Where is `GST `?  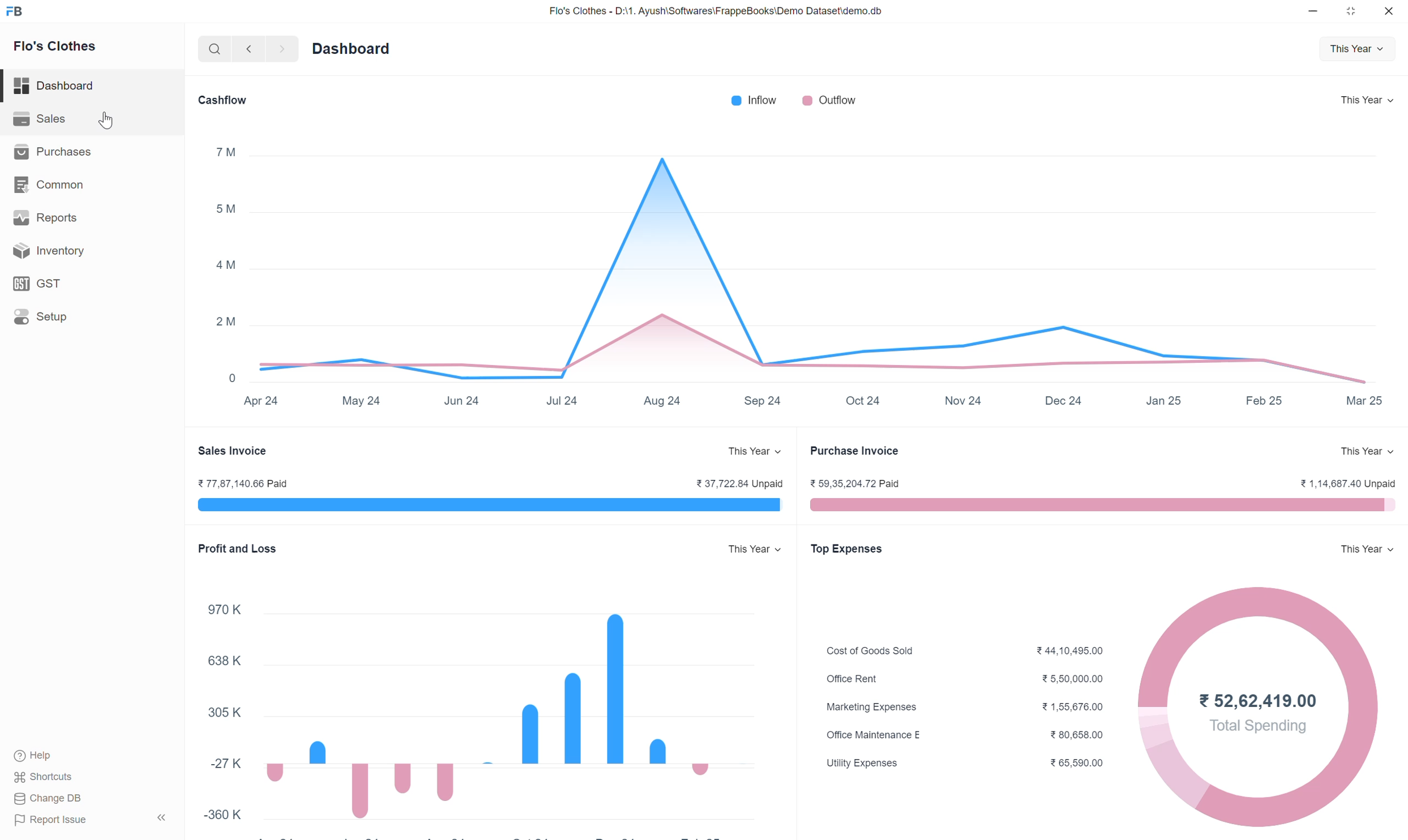 GST  is located at coordinates (75, 284).